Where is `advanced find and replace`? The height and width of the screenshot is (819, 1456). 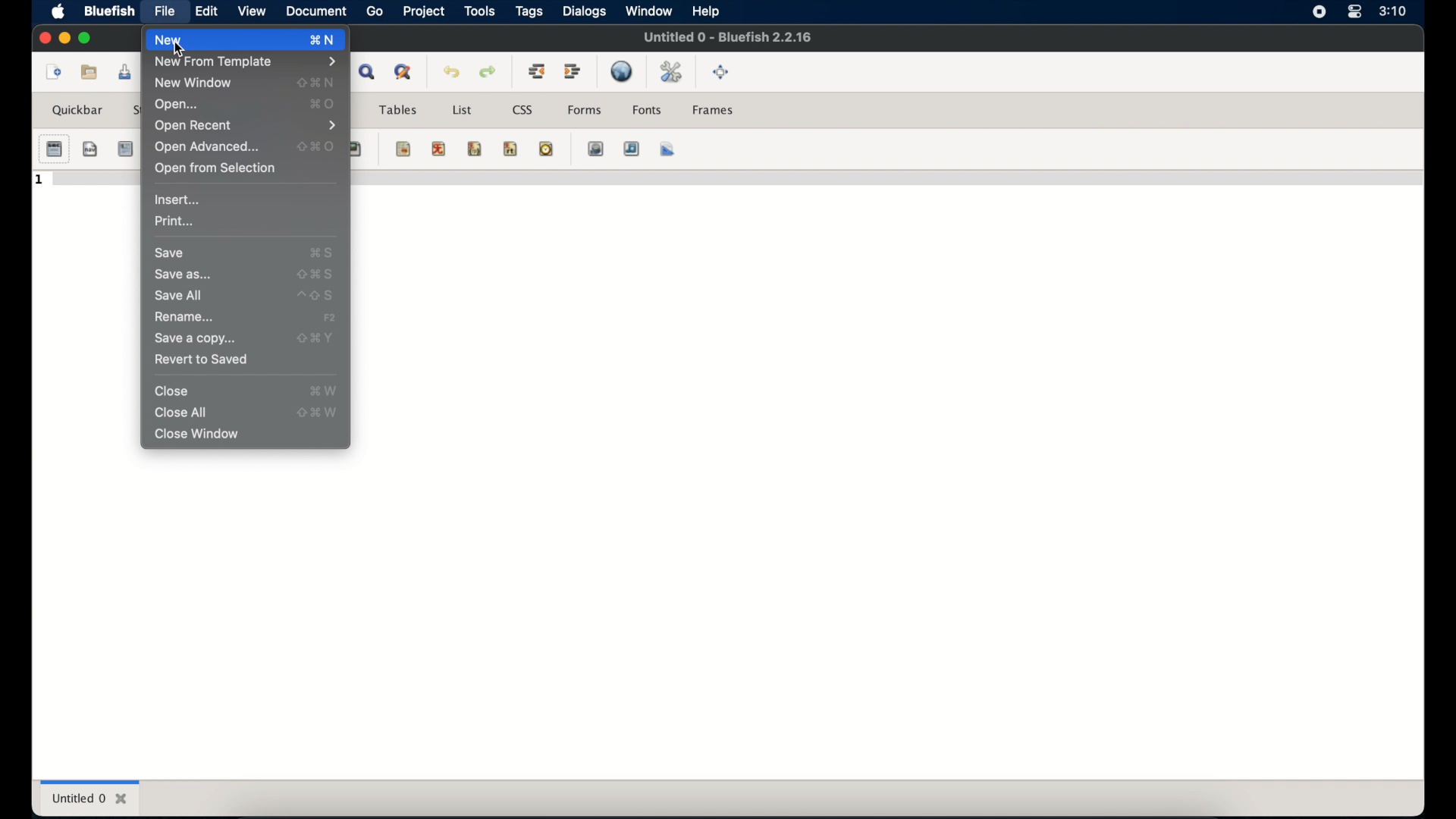 advanced find and replace is located at coordinates (404, 73).